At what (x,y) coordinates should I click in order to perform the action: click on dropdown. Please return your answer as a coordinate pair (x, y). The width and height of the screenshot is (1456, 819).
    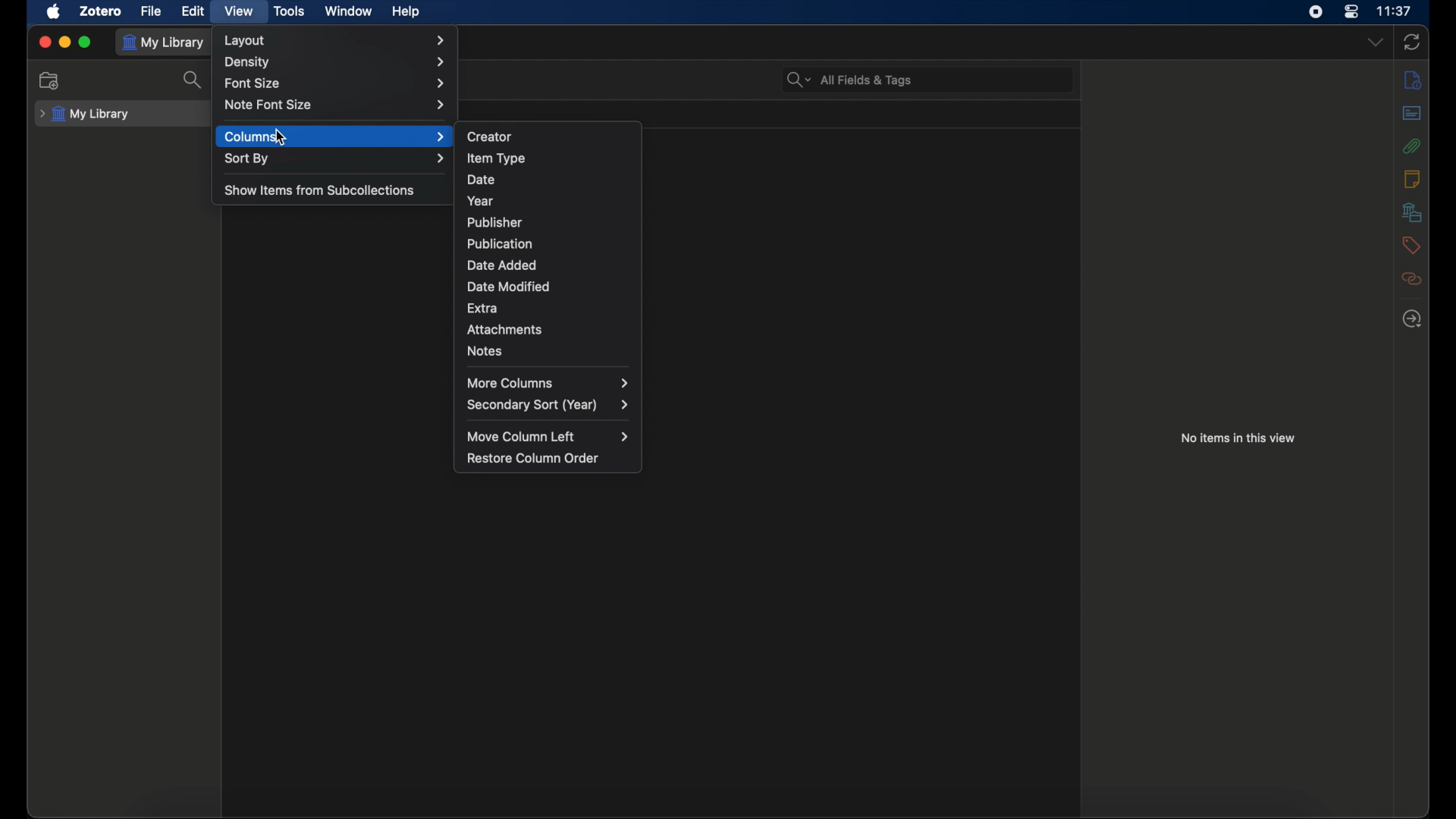
    Looking at the image, I should click on (1374, 41).